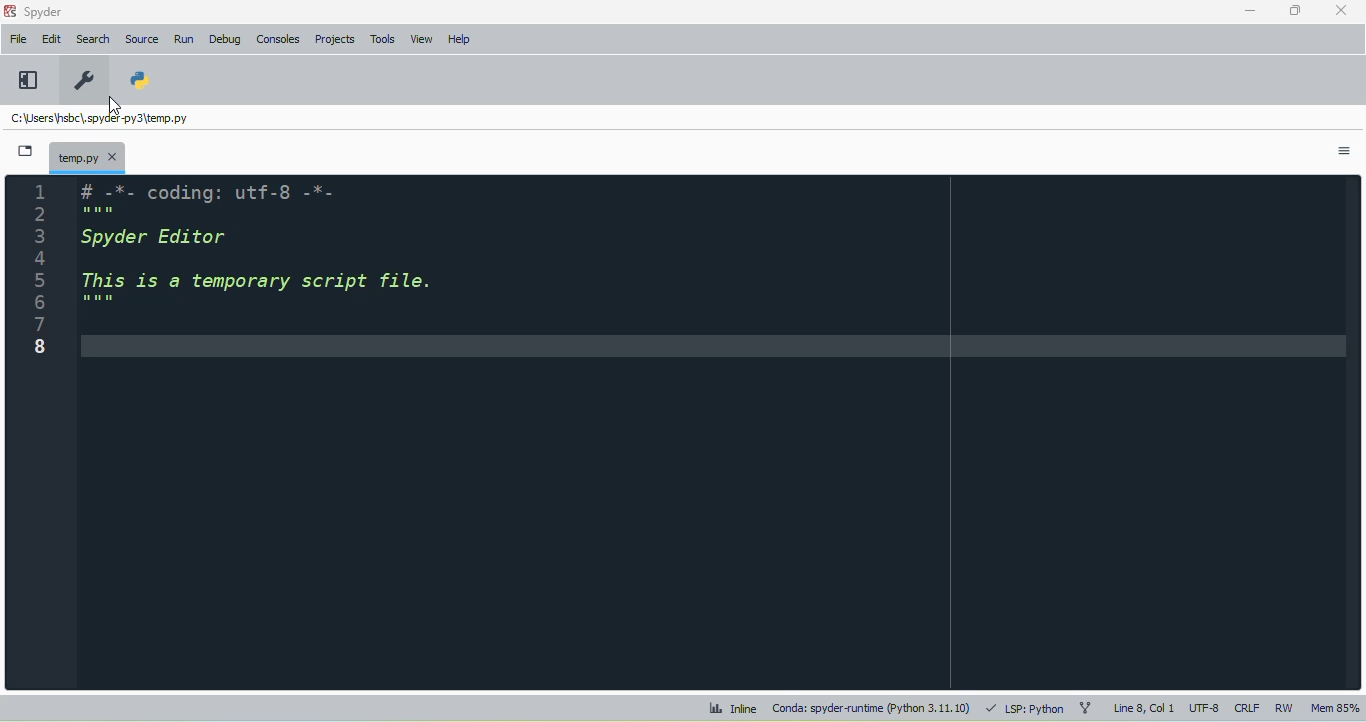  What do you see at coordinates (24, 151) in the screenshot?
I see `browse tabs` at bounding box center [24, 151].